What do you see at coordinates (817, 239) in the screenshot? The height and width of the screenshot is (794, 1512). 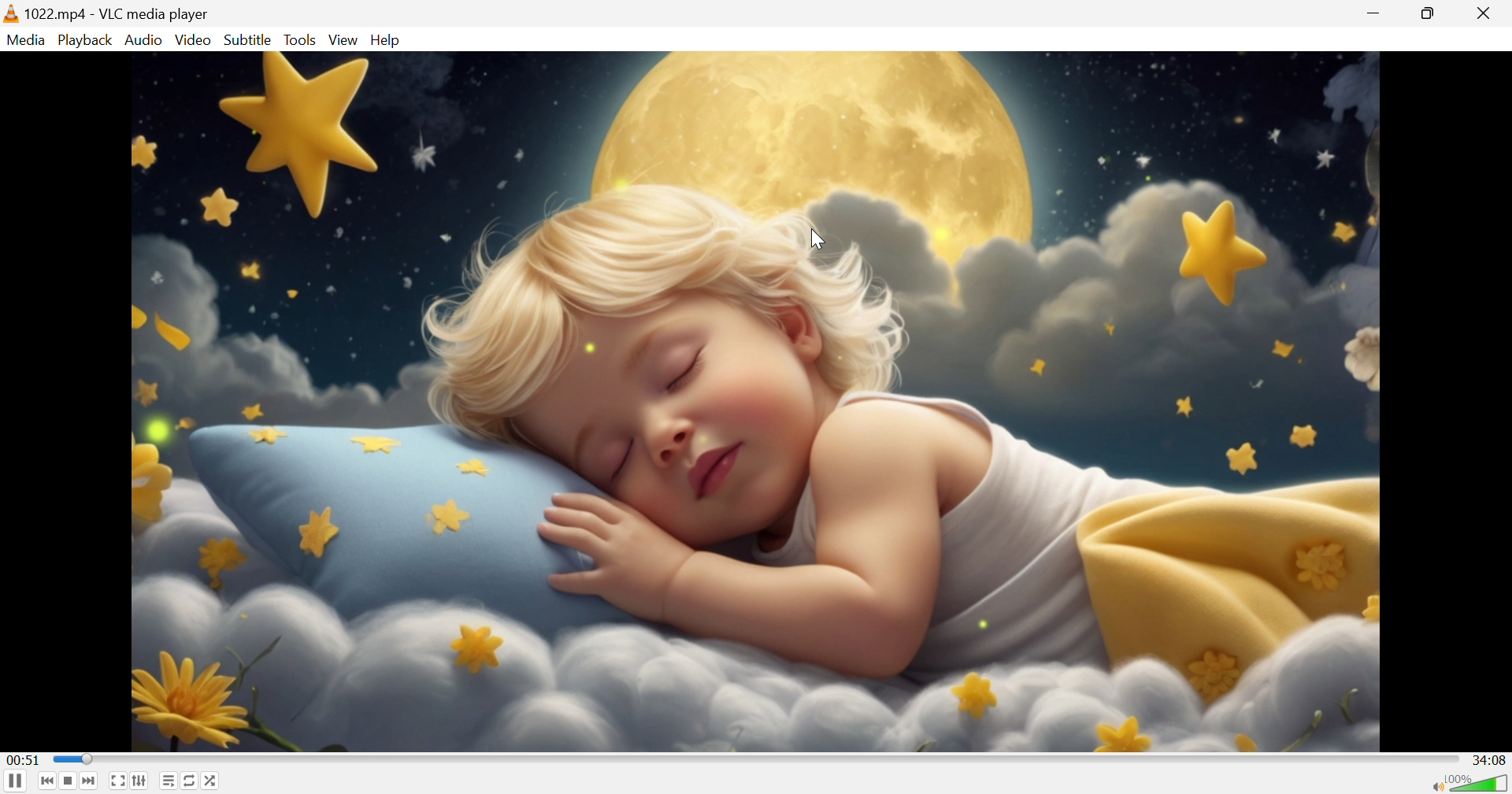 I see `Cursor` at bounding box center [817, 239].